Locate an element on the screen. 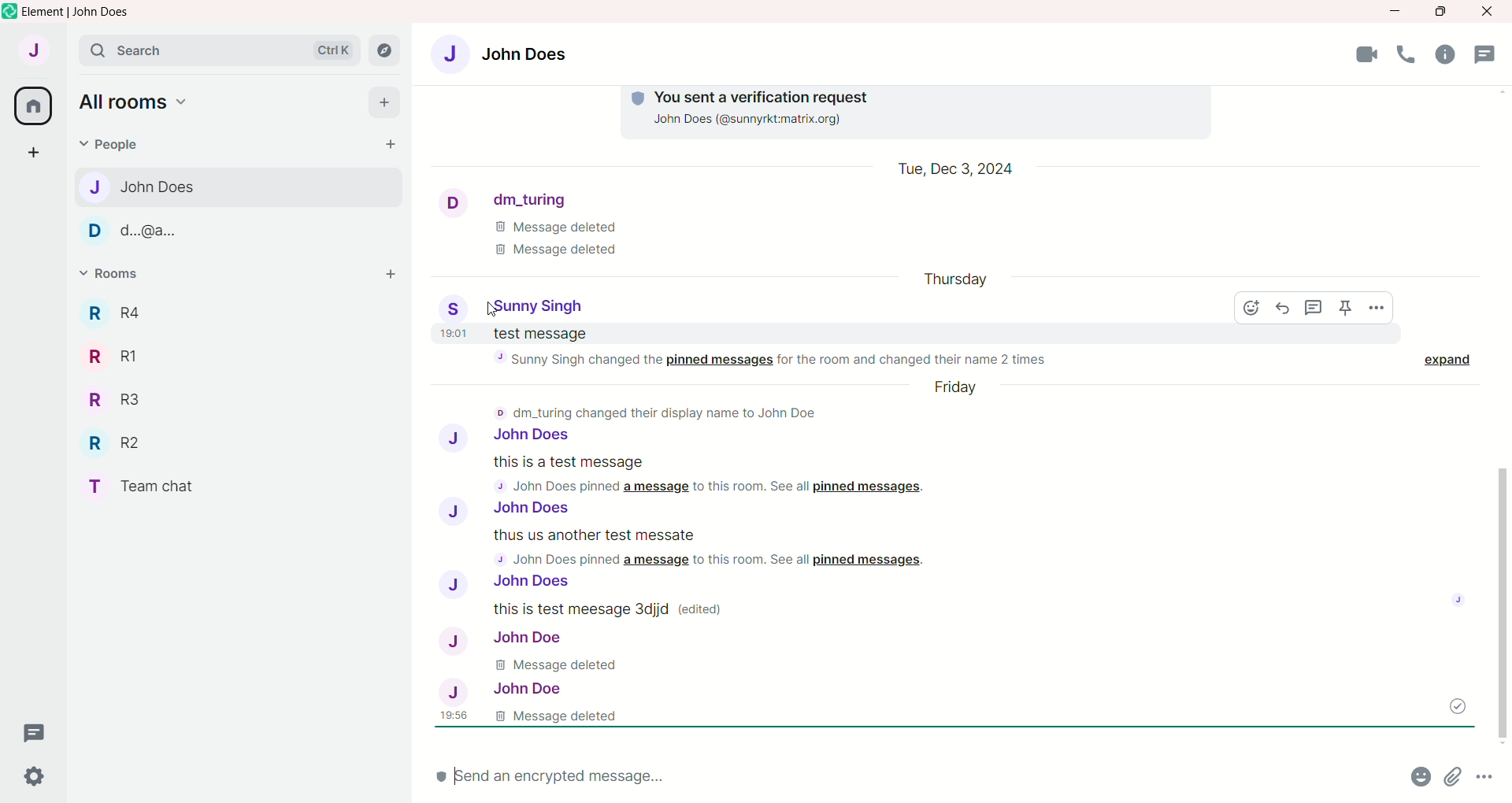 The image size is (1512, 803). test message is located at coordinates (772, 350).